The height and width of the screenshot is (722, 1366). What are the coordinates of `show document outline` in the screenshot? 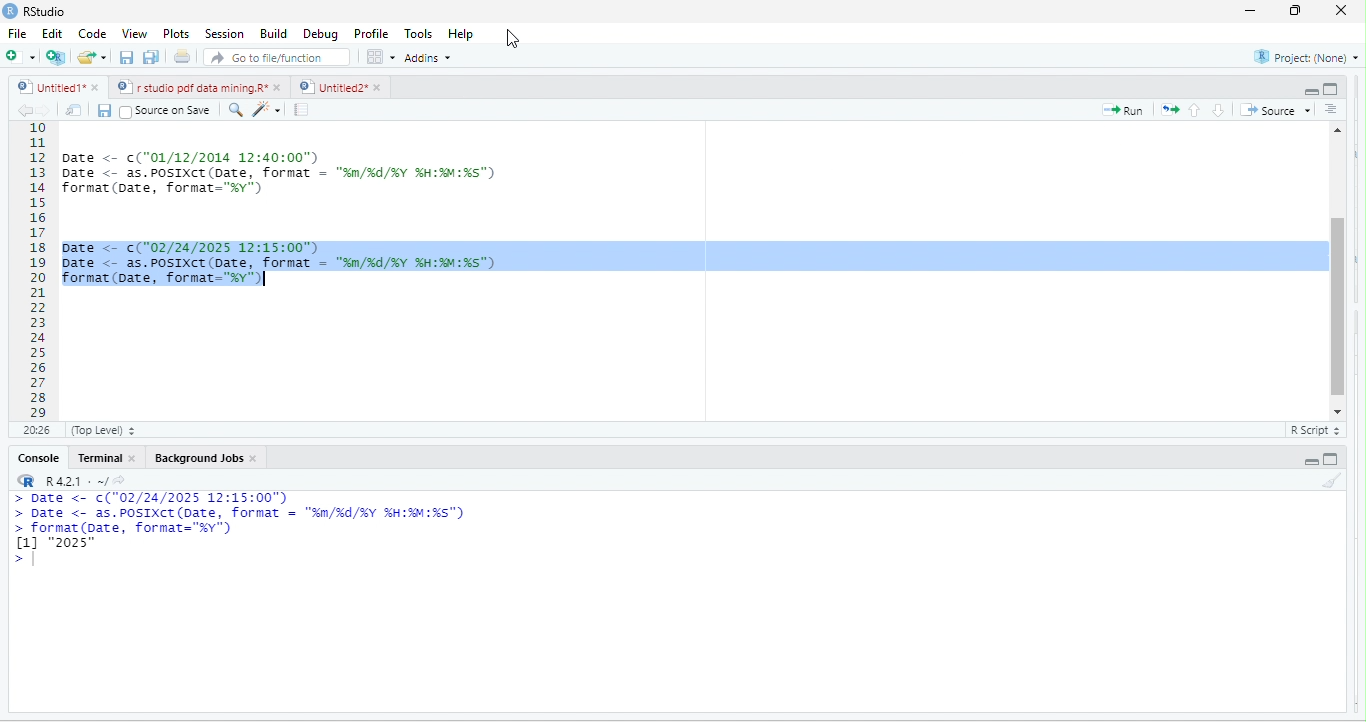 It's located at (1335, 109).